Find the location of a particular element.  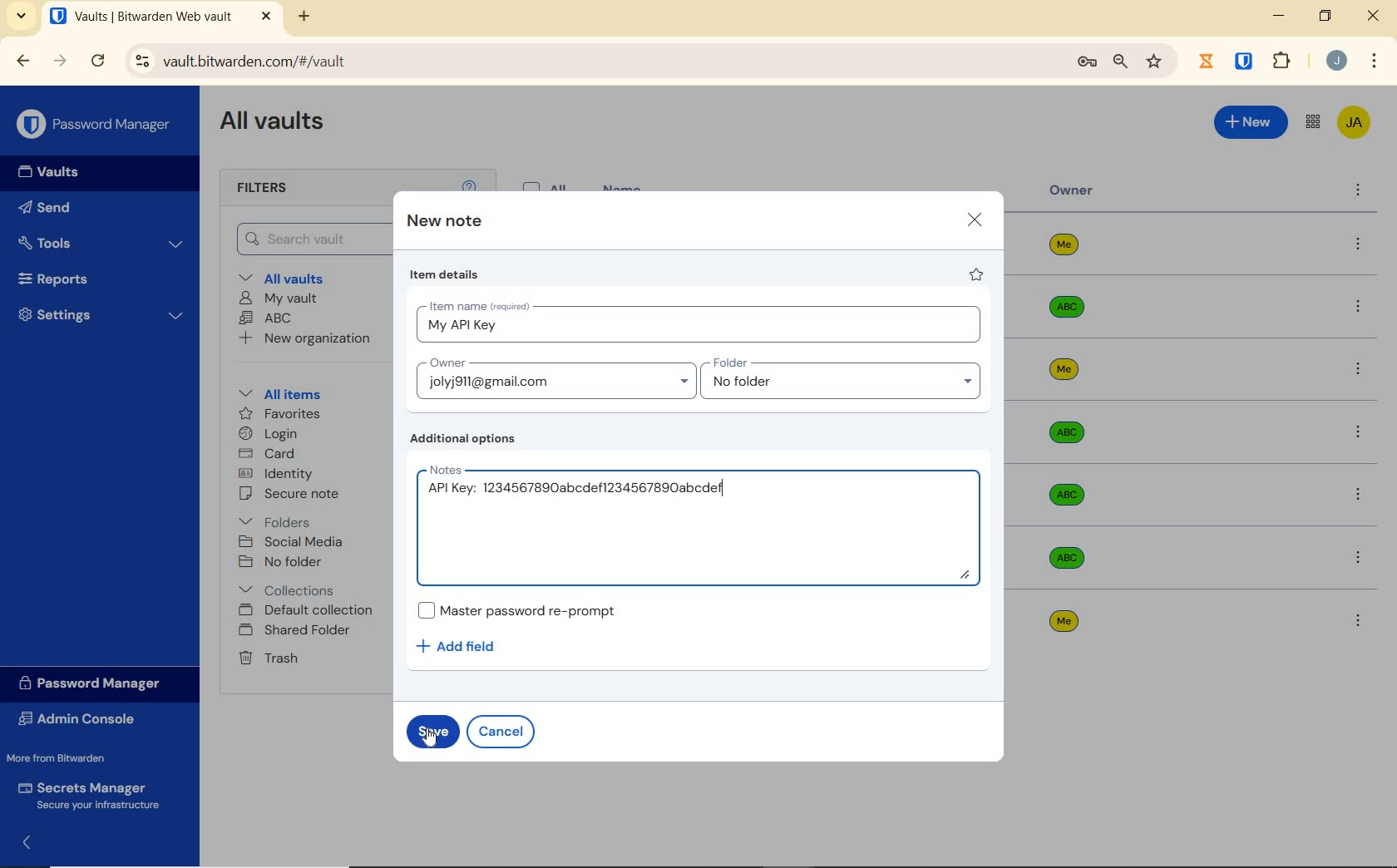

owner is located at coordinates (1072, 192).